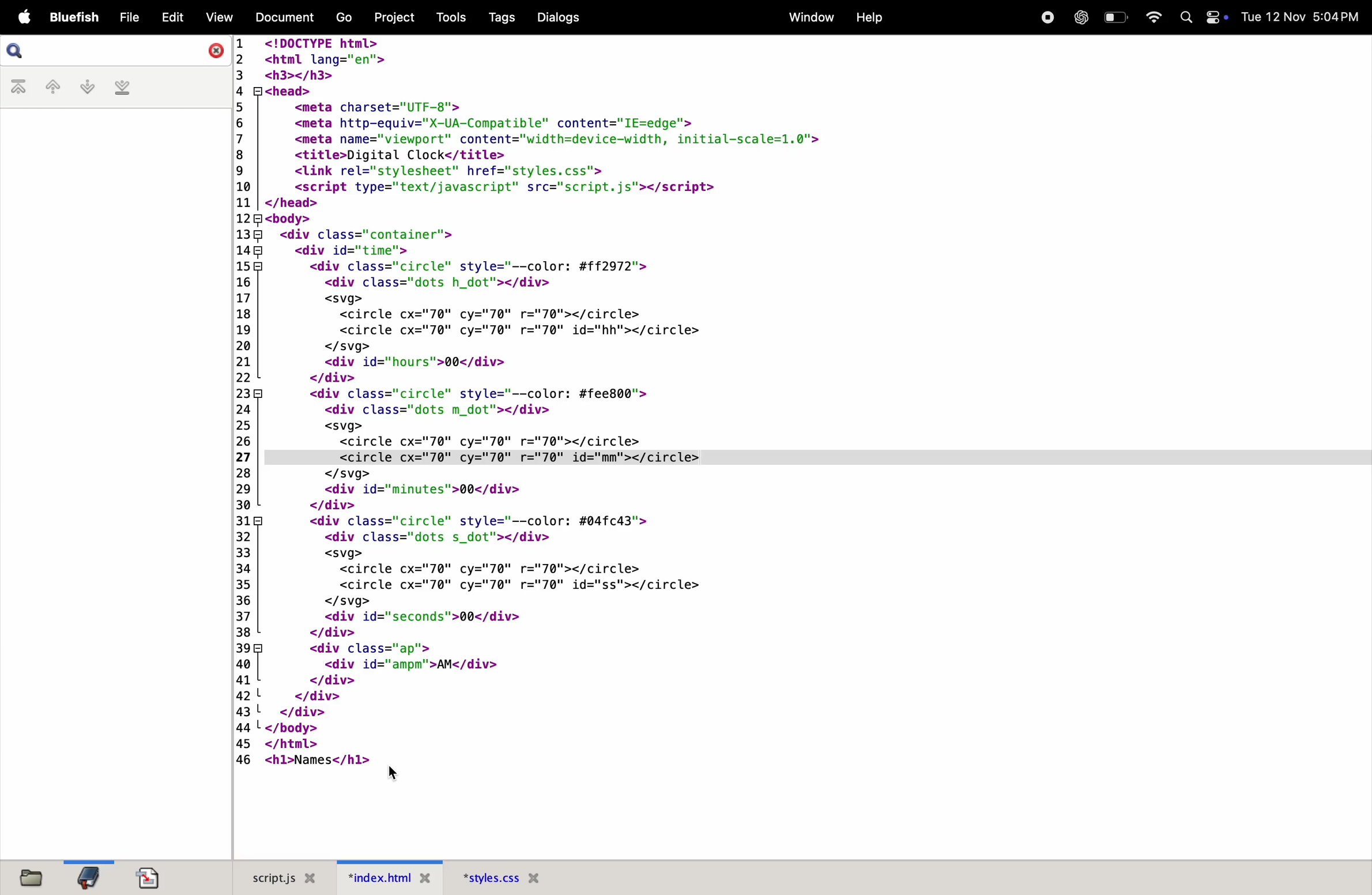 The width and height of the screenshot is (1372, 895). Describe the element at coordinates (1186, 17) in the screenshot. I see `Search` at that location.